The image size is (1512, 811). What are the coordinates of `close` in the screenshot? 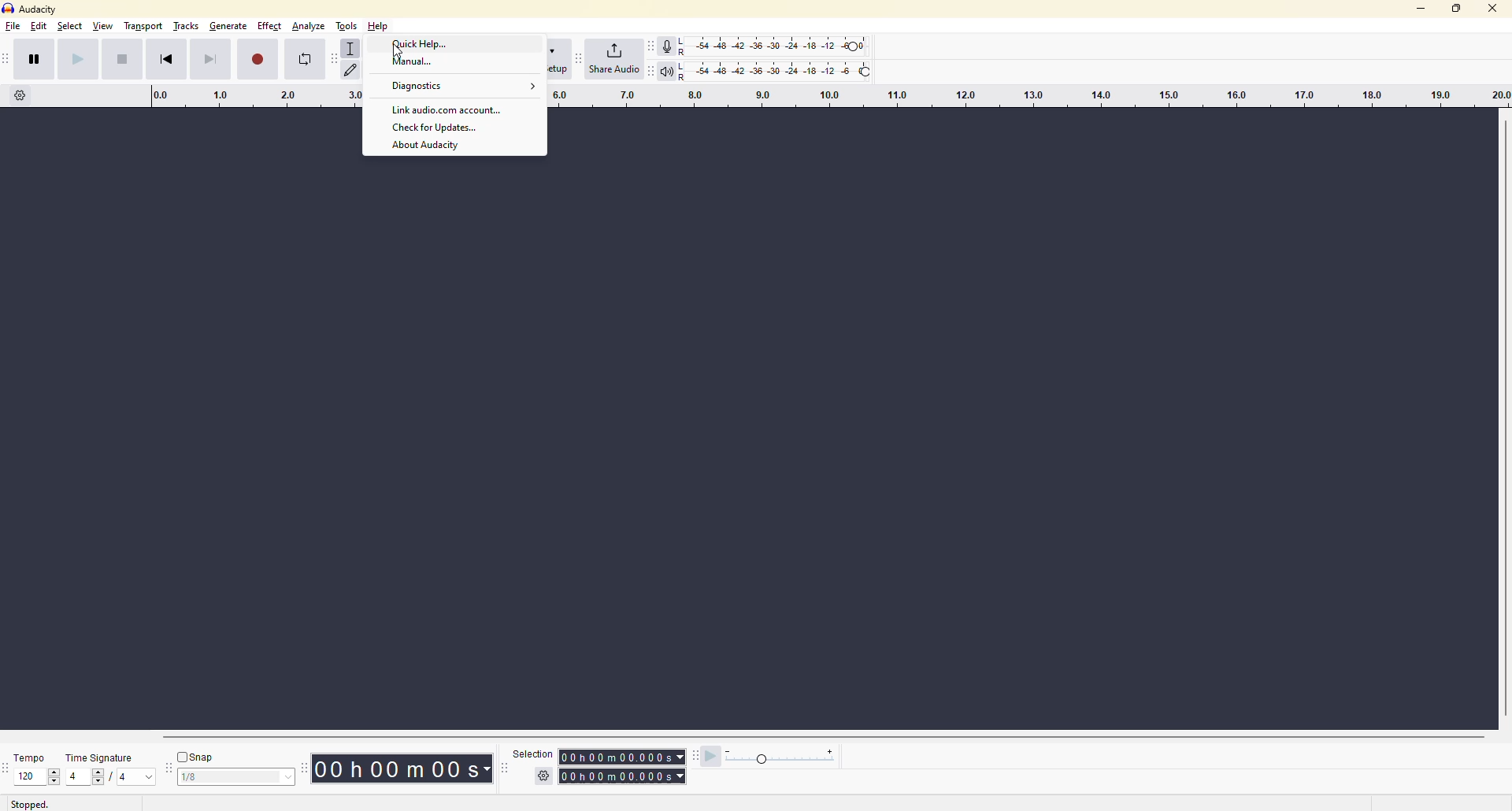 It's located at (1492, 6).